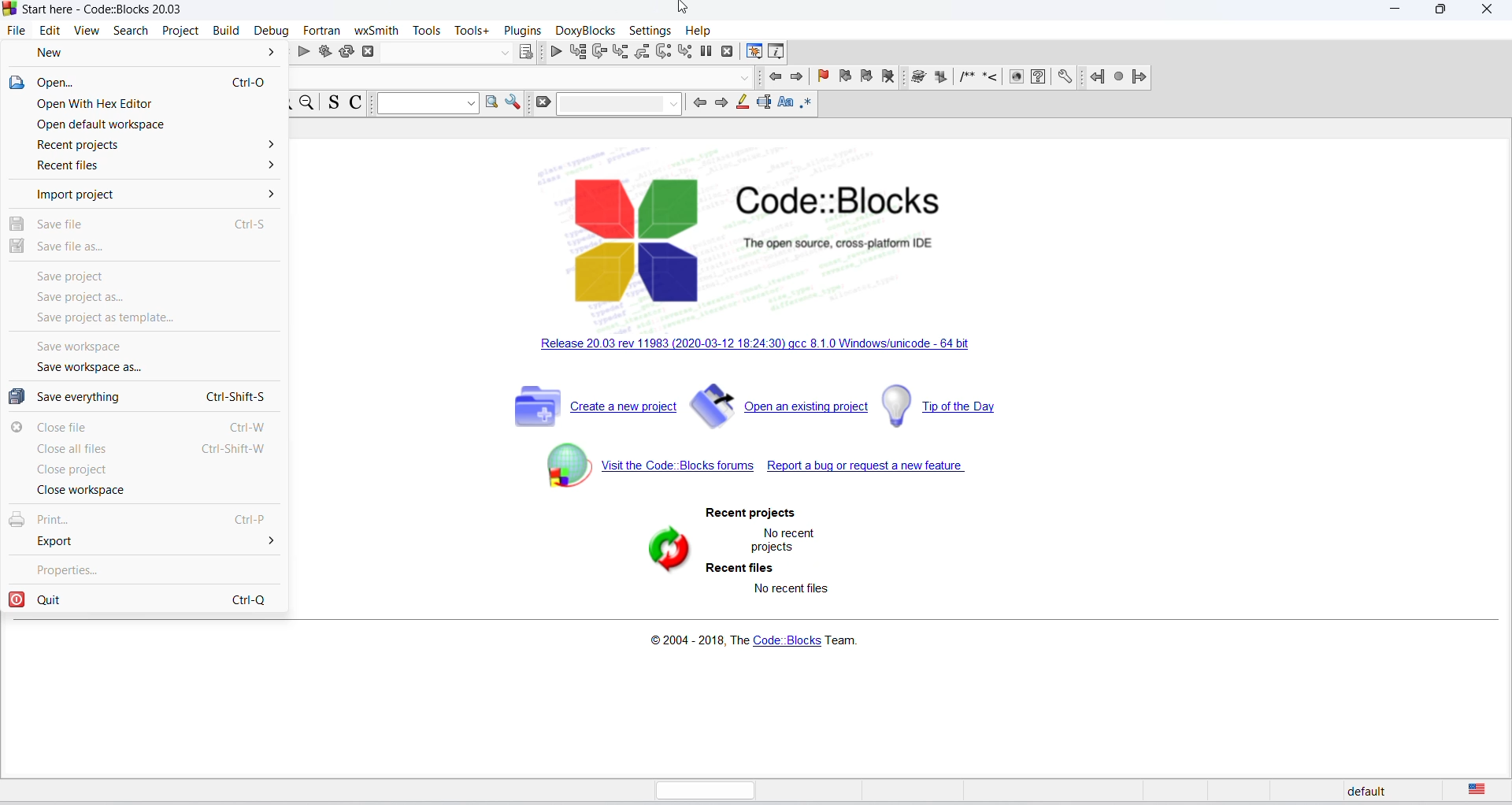 The height and width of the screenshot is (805, 1512). What do you see at coordinates (741, 572) in the screenshot?
I see `recent files` at bounding box center [741, 572].